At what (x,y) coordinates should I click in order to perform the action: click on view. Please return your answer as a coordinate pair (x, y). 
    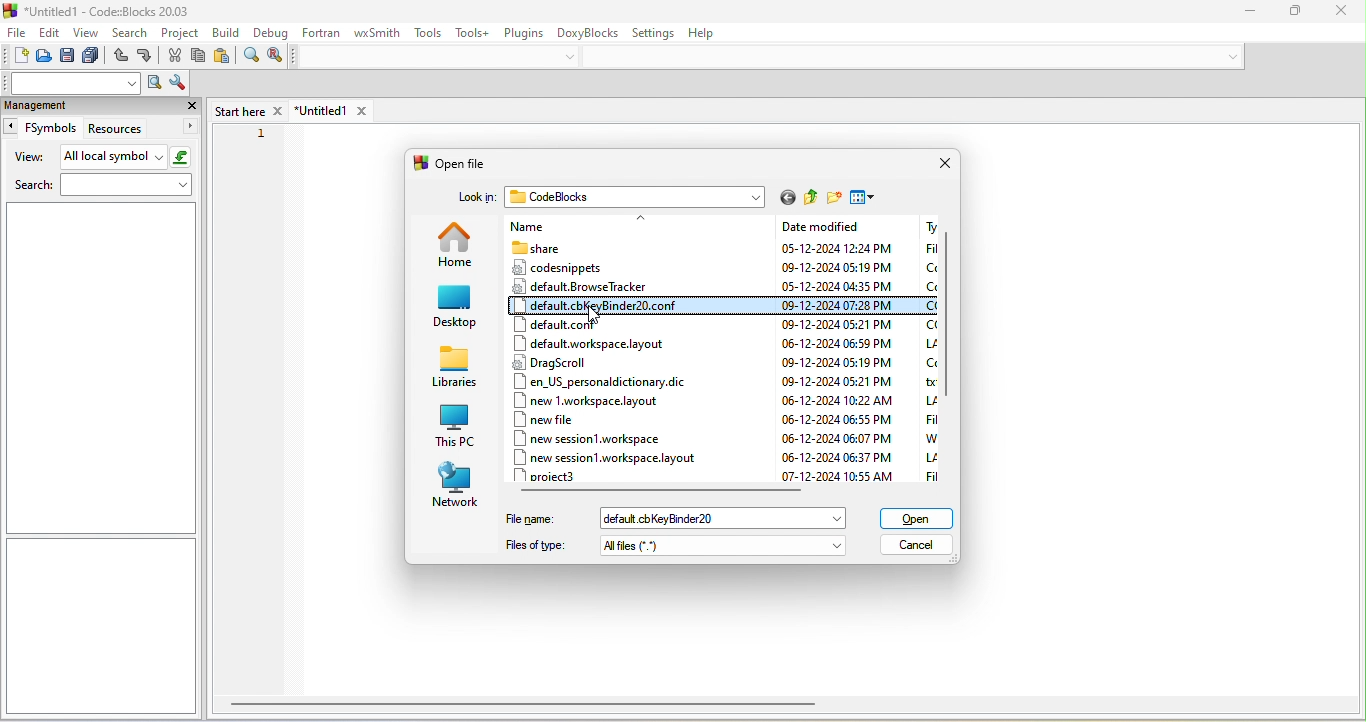
    Looking at the image, I should click on (30, 157).